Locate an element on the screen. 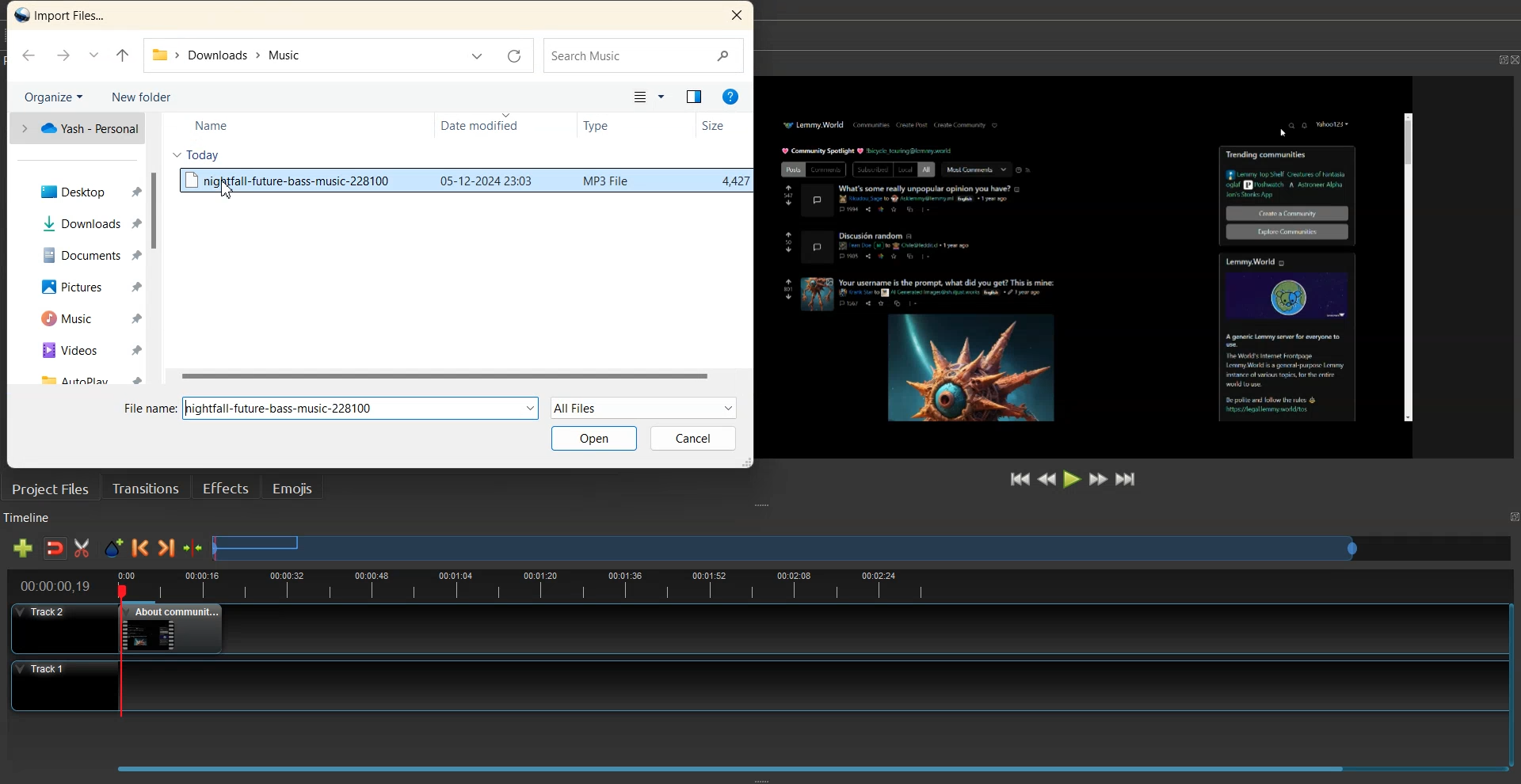  Show the preview option is located at coordinates (695, 97).